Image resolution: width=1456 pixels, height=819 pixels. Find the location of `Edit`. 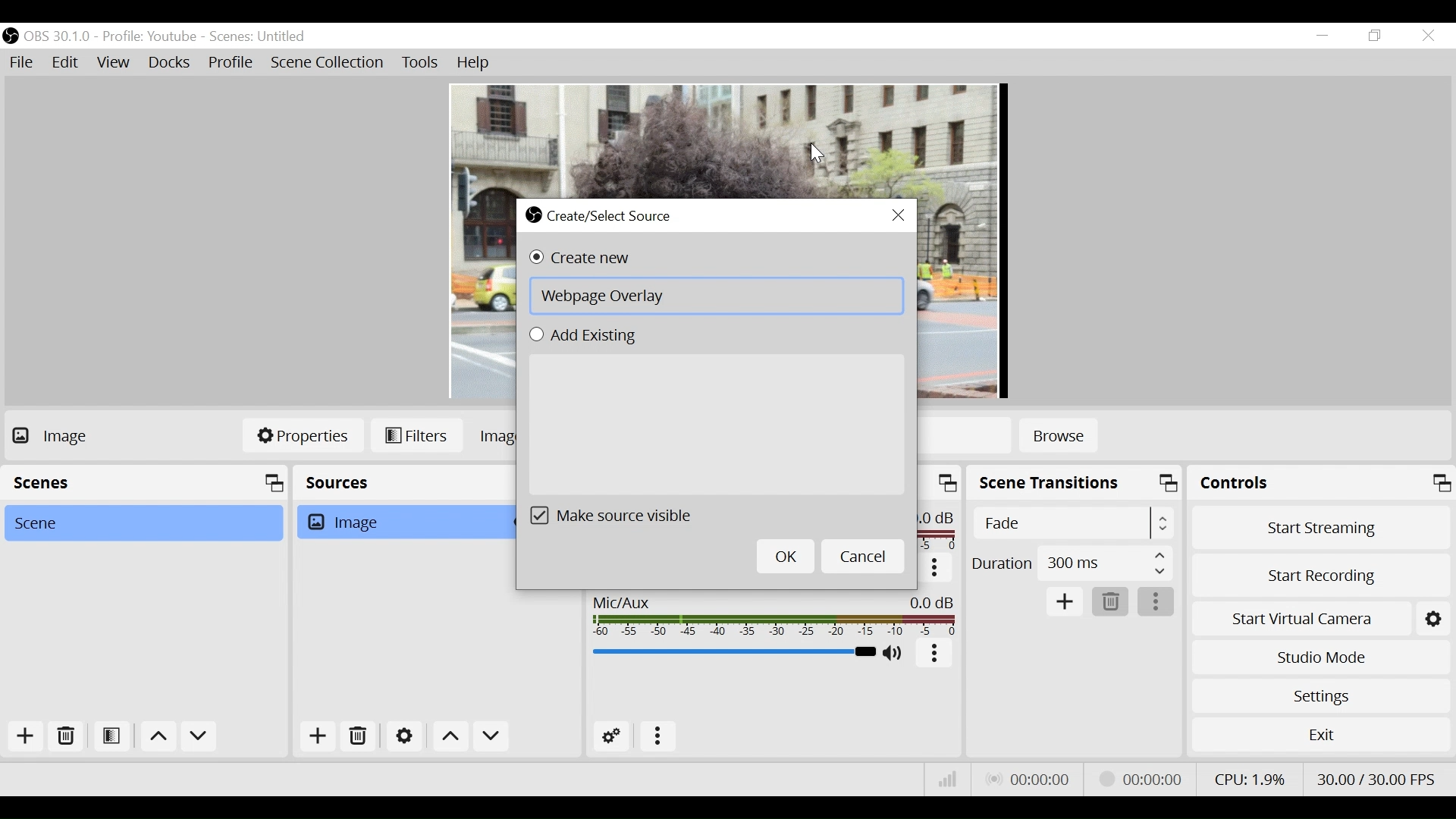

Edit is located at coordinates (66, 64).